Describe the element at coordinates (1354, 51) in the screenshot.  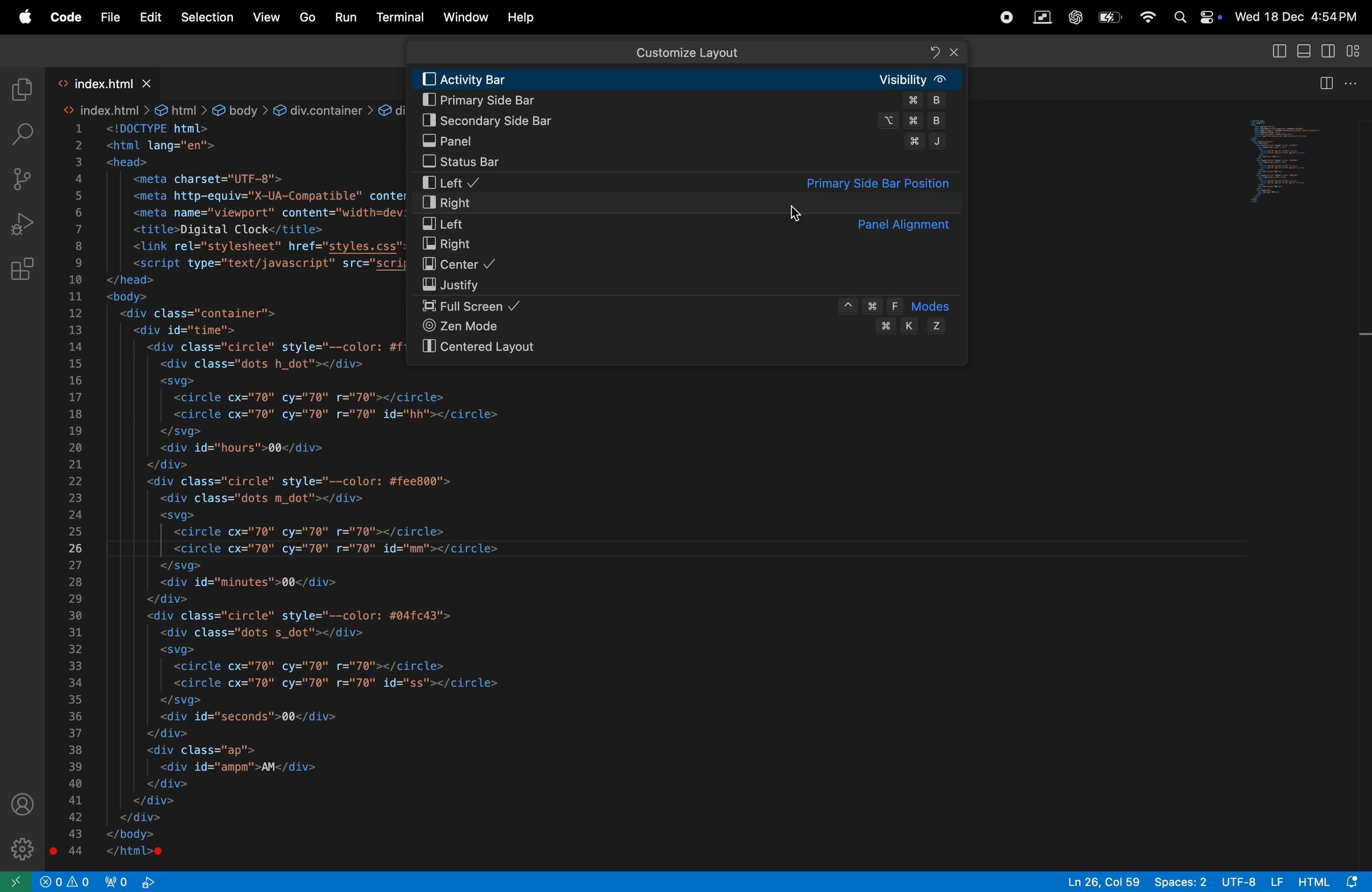
I see `customize layout` at that location.